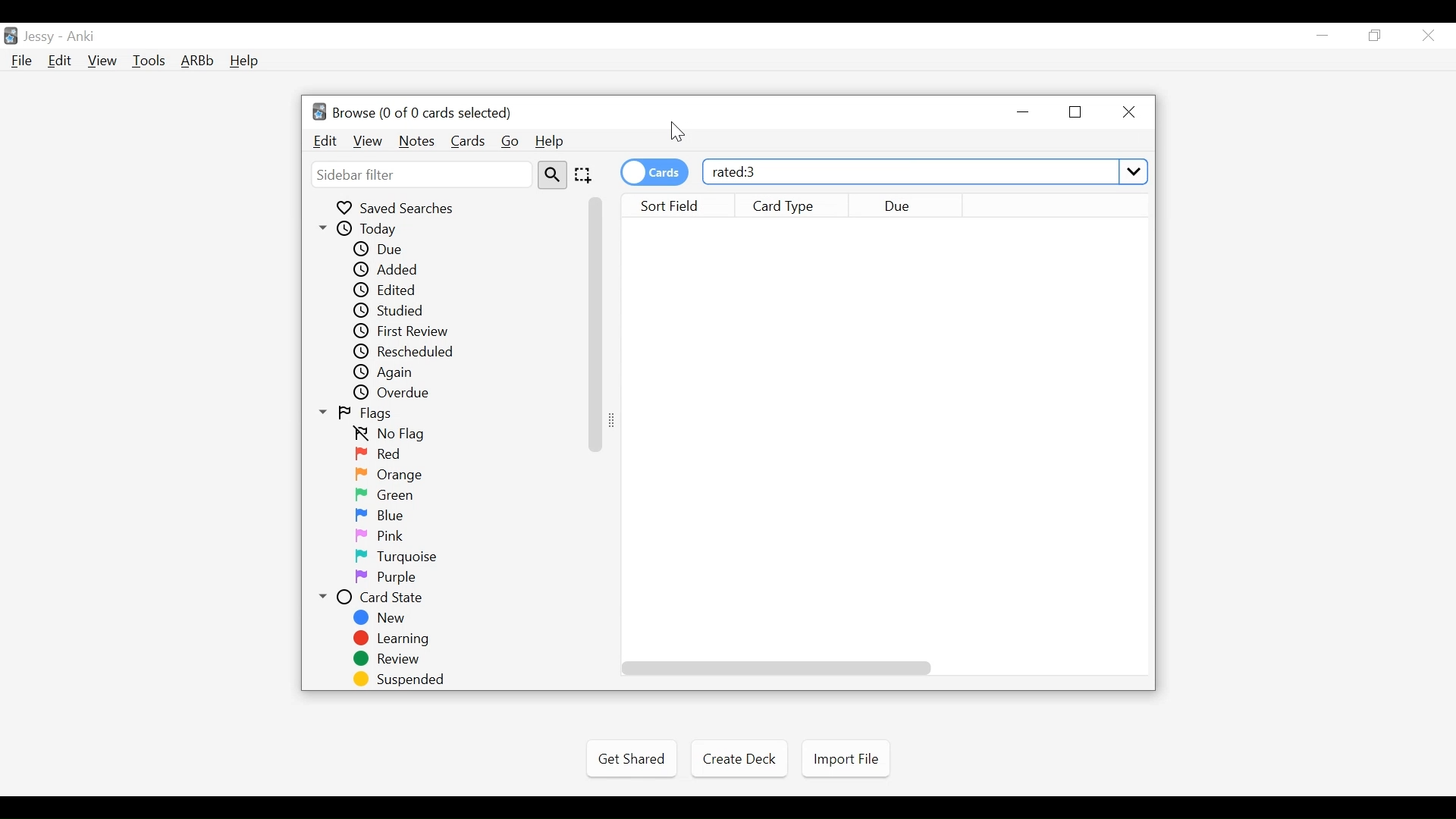 The width and height of the screenshot is (1456, 819). What do you see at coordinates (404, 332) in the screenshot?
I see `First Review` at bounding box center [404, 332].